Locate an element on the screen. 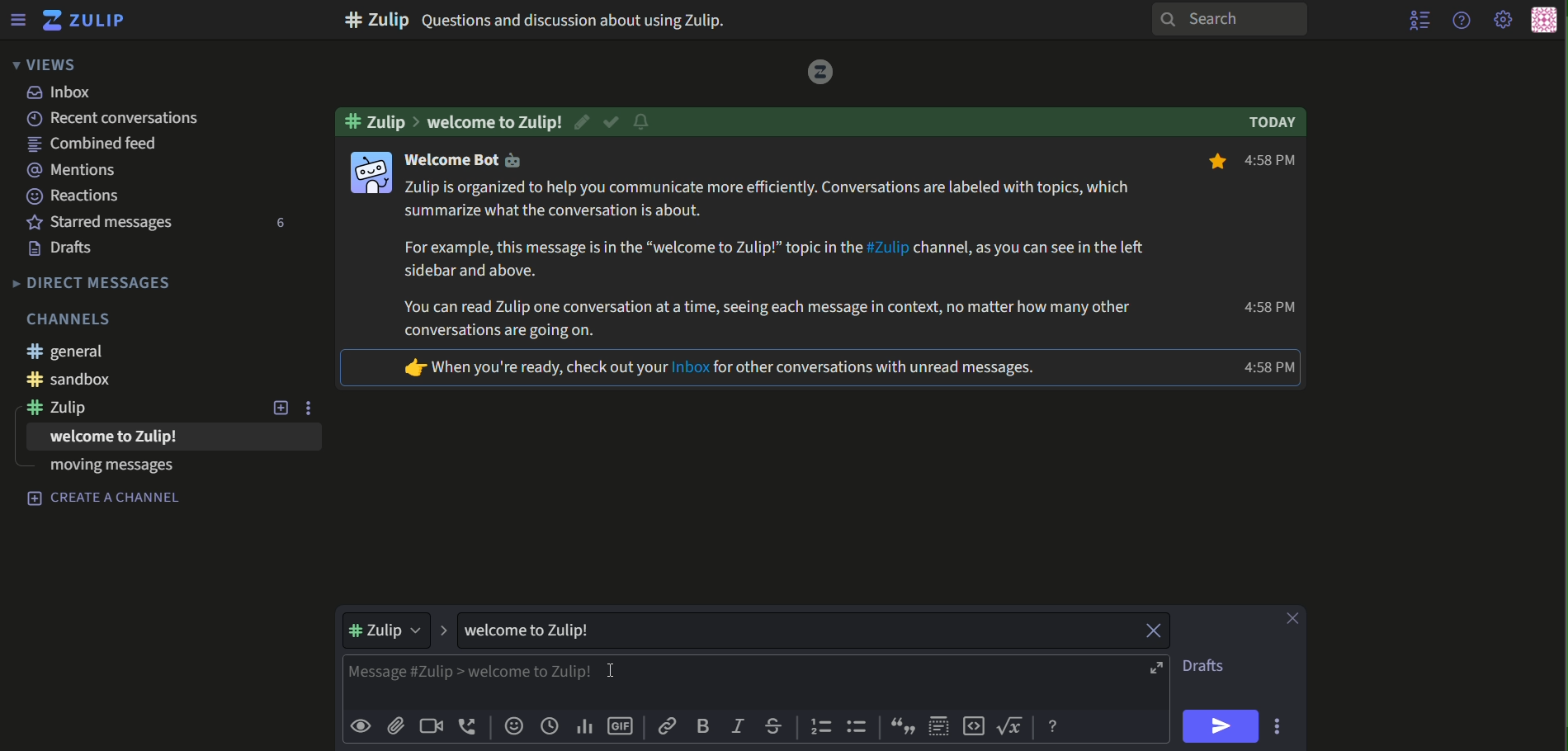  formatting is located at coordinates (1056, 727).